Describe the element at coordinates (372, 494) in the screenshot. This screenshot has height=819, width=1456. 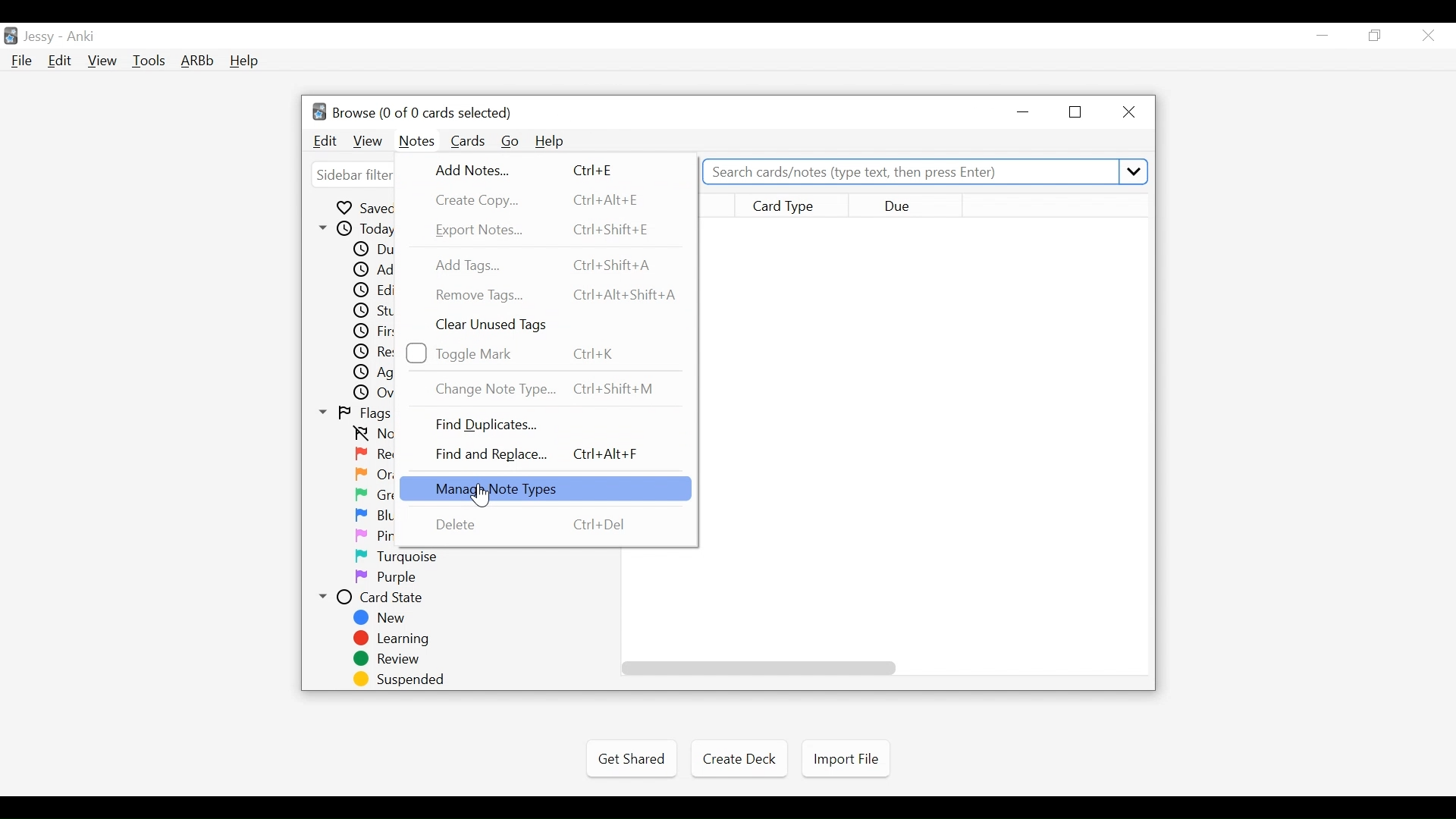
I see `Green` at that location.